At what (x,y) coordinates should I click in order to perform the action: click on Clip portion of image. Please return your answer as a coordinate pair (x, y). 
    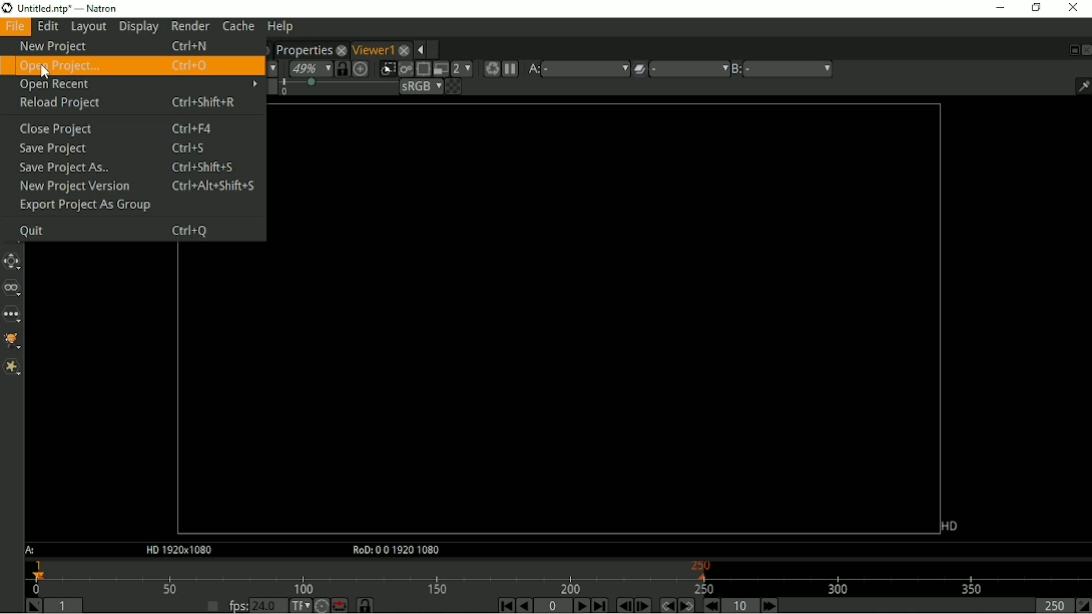
    Looking at the image, I should click on (388, 69).